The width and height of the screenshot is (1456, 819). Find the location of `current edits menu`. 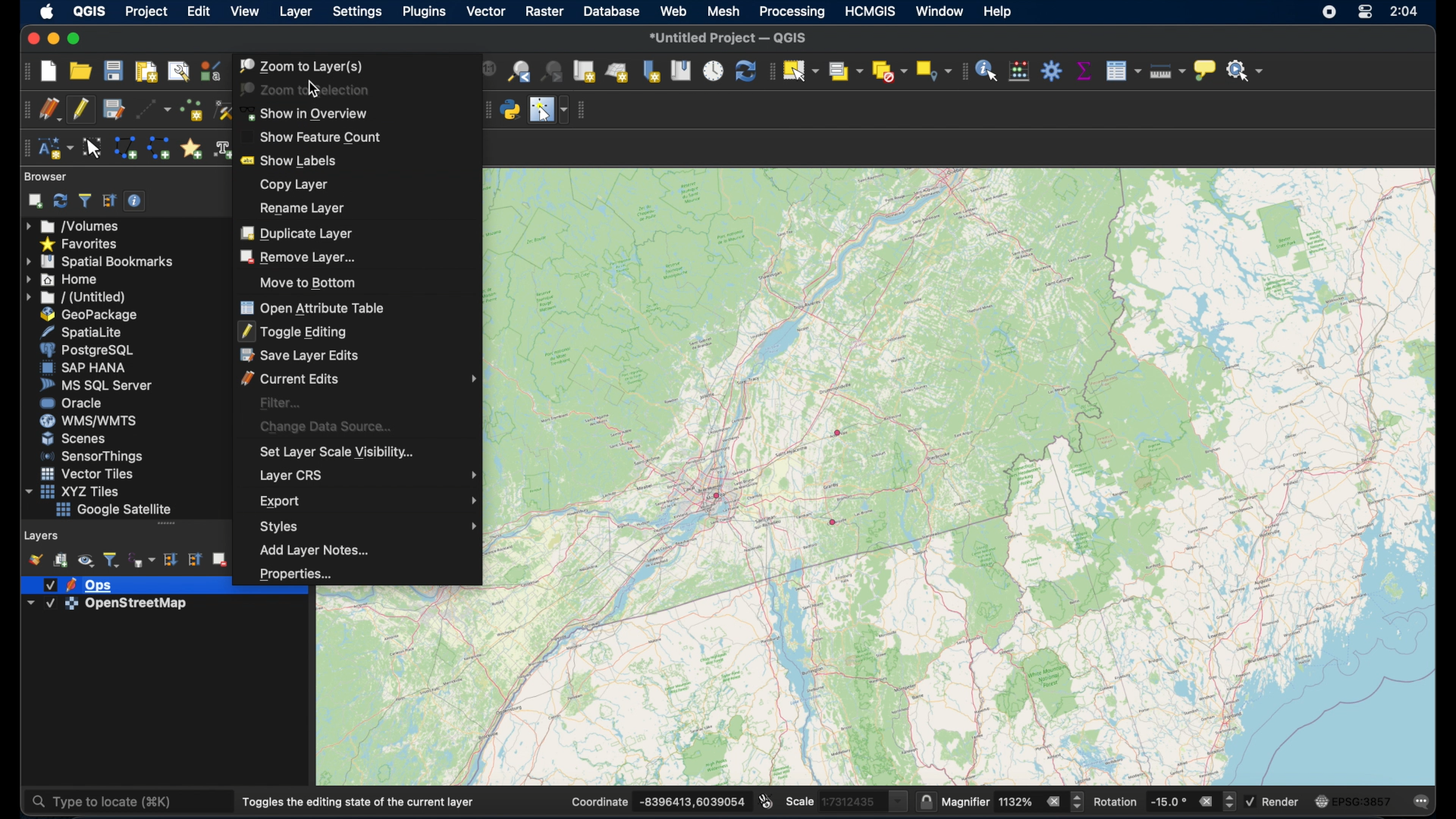

current edits menu is located at coordinates (359, 378).